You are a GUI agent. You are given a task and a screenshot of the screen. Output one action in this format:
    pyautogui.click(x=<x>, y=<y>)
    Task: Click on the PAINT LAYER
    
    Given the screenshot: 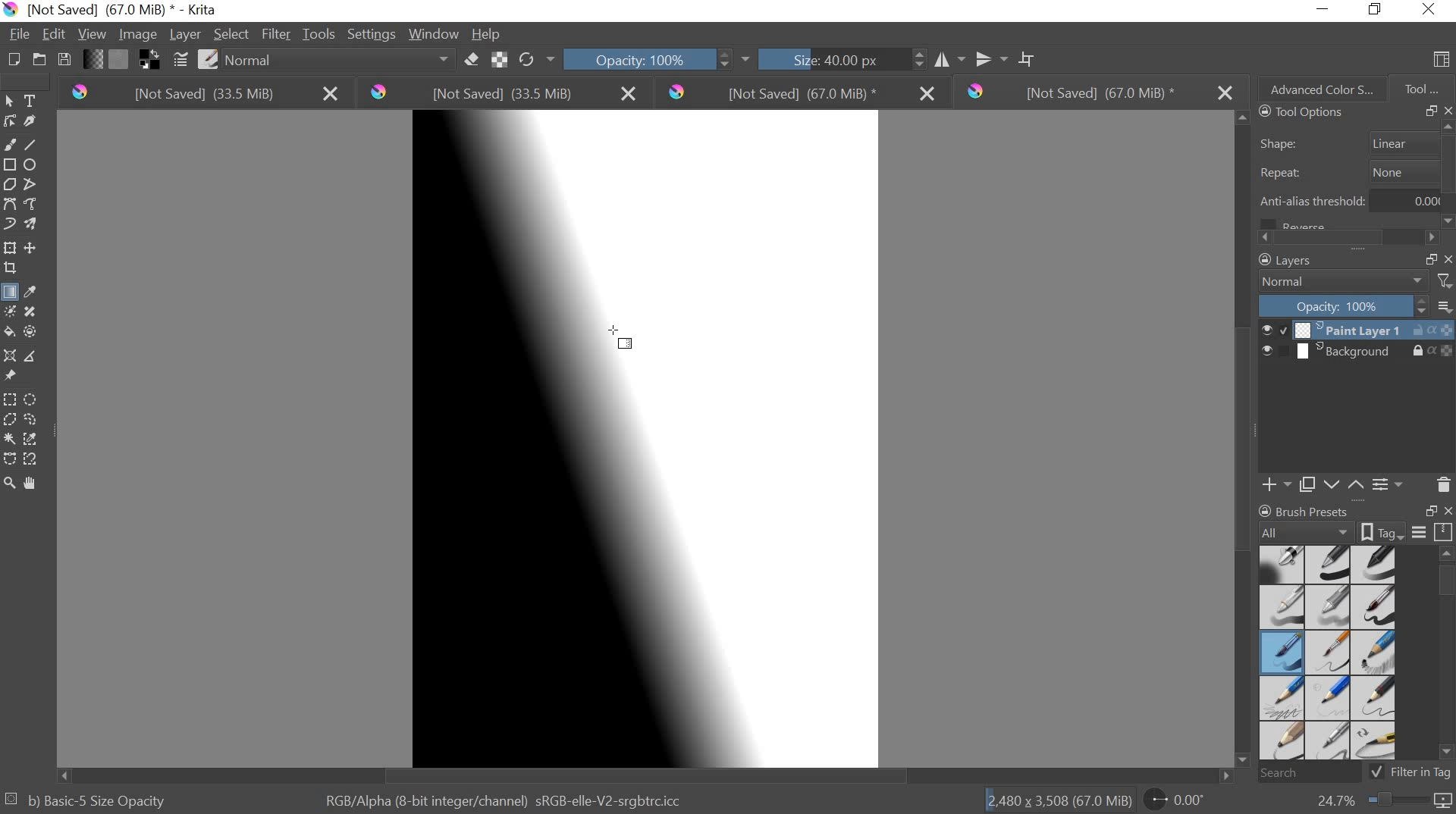 What is the action you would take?
    pyautogui.click(x=1357, y=330)
    